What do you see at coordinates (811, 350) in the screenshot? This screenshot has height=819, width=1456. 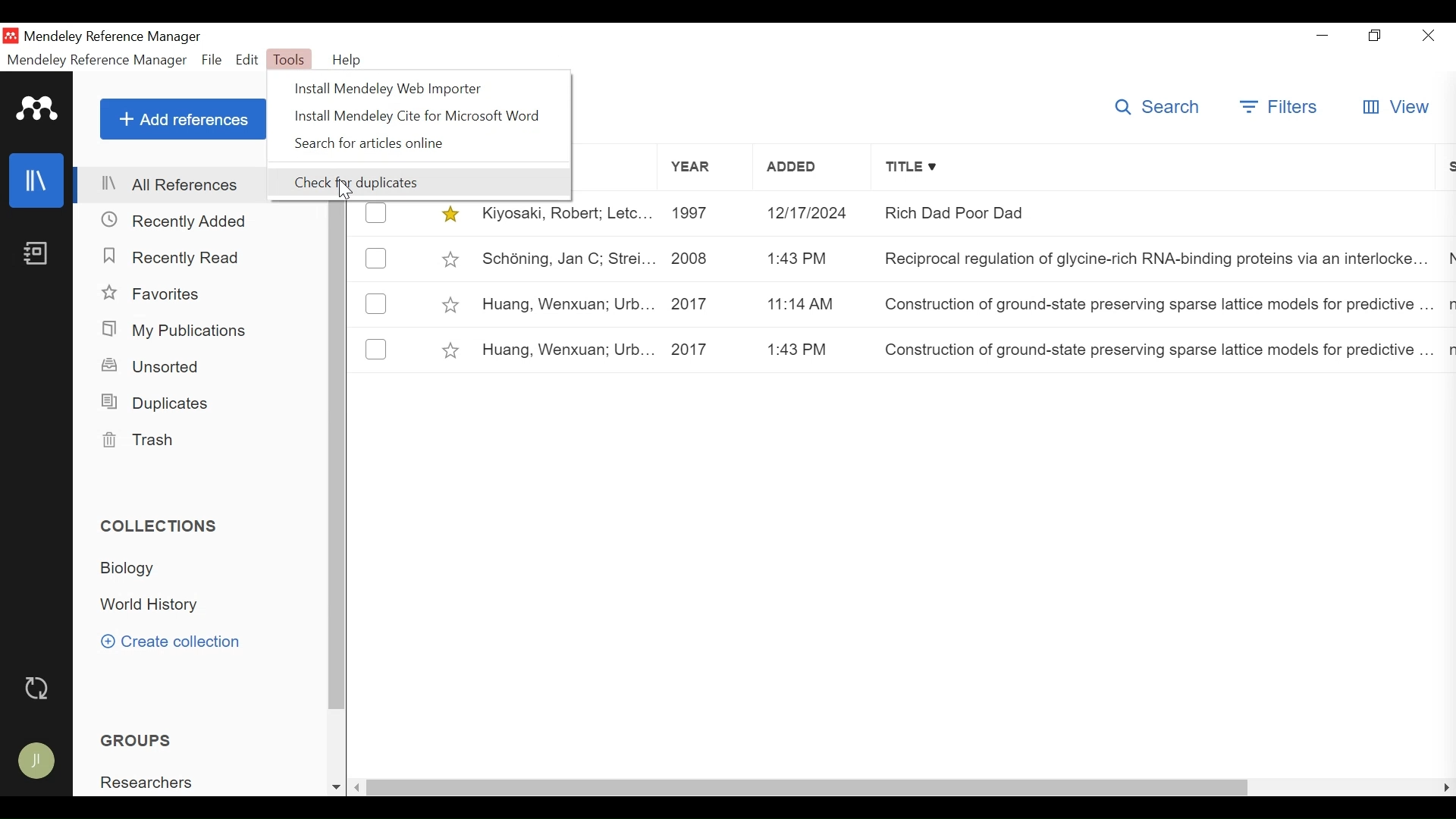 I see `1:43 pm` at bounding box center [811, 350].